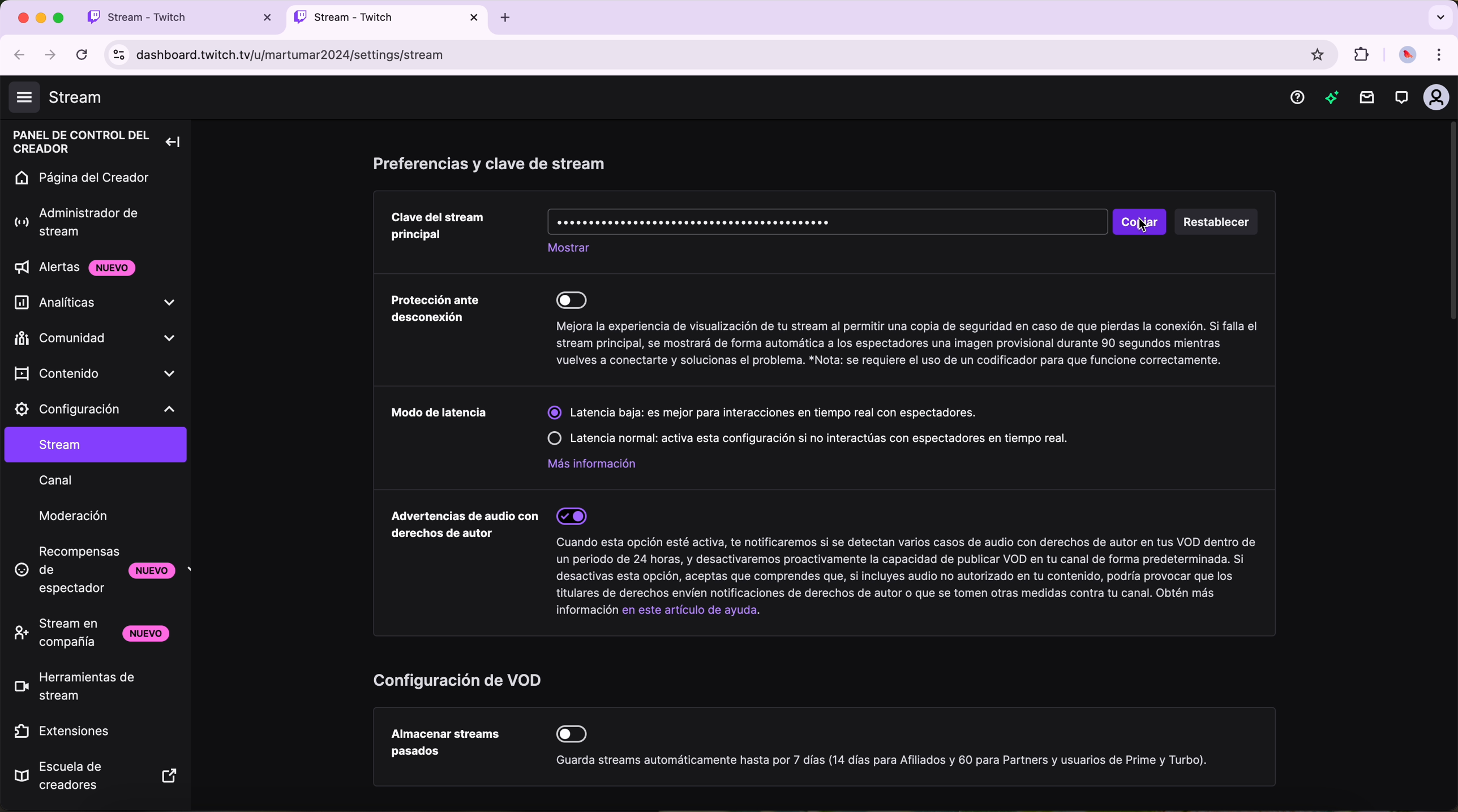 This screenshot has width=1458, height=812. I want to click on disable option, so click(571, 299).